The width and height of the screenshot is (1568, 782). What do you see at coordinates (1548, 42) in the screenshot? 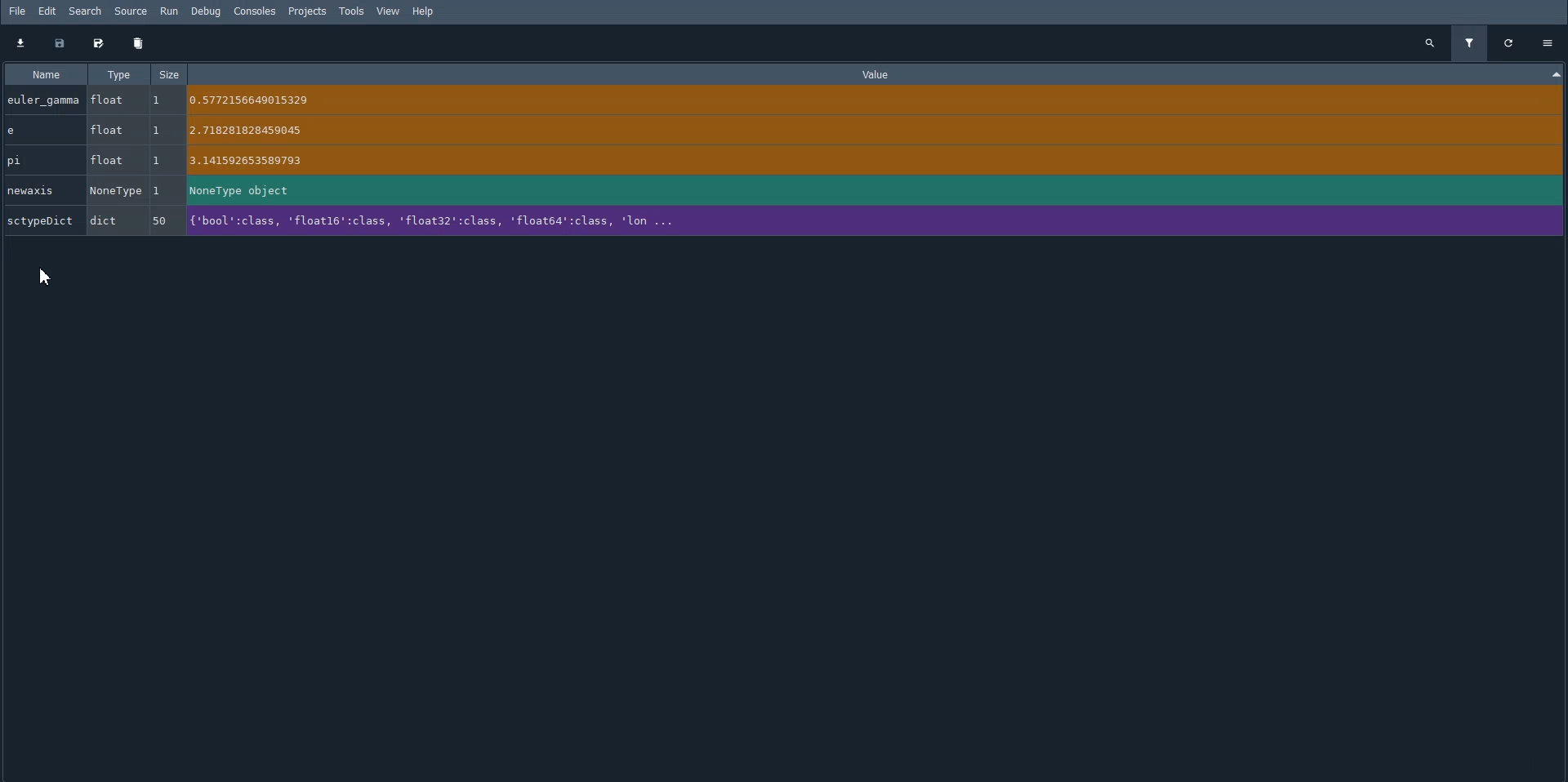
I see `Options` at bounding box center [1548, 42].